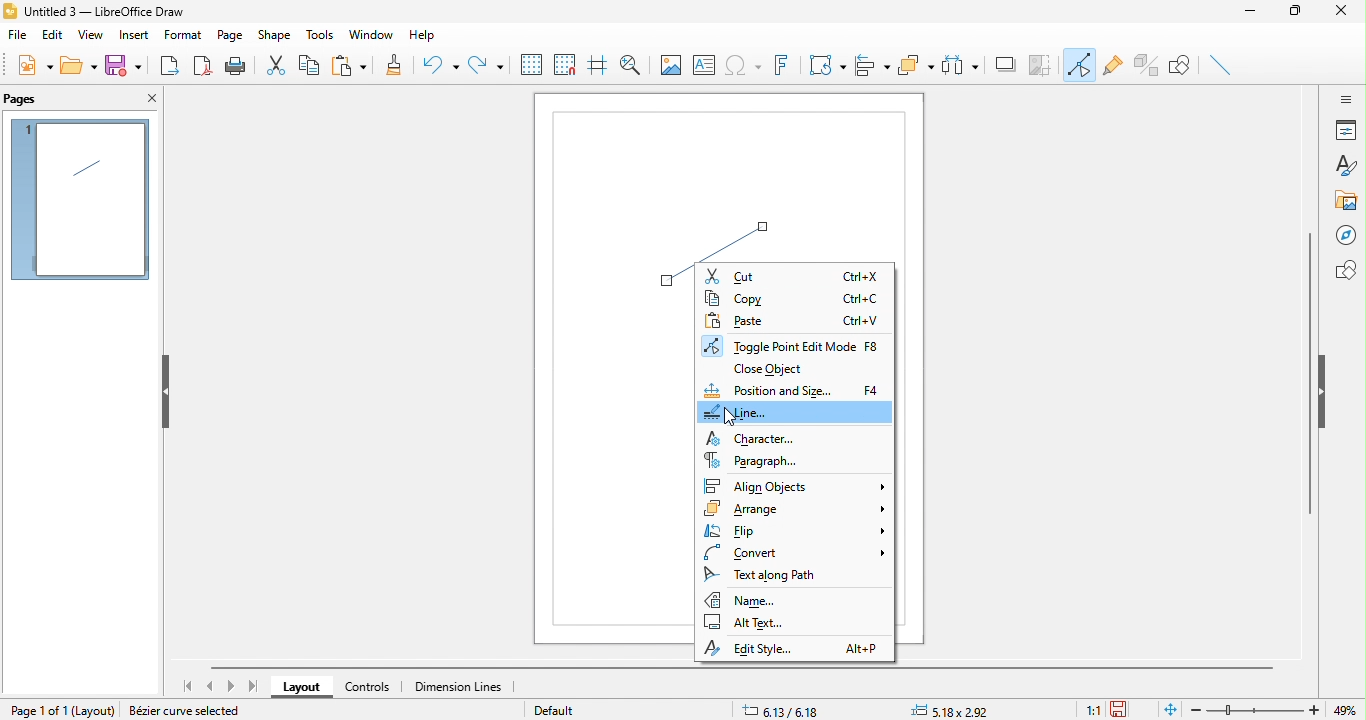 Image resolution: width=1366 pixels, height=720 pixels. Describe the element at coordinates (486, 61) in the screenshot. I see `redo` at that location.